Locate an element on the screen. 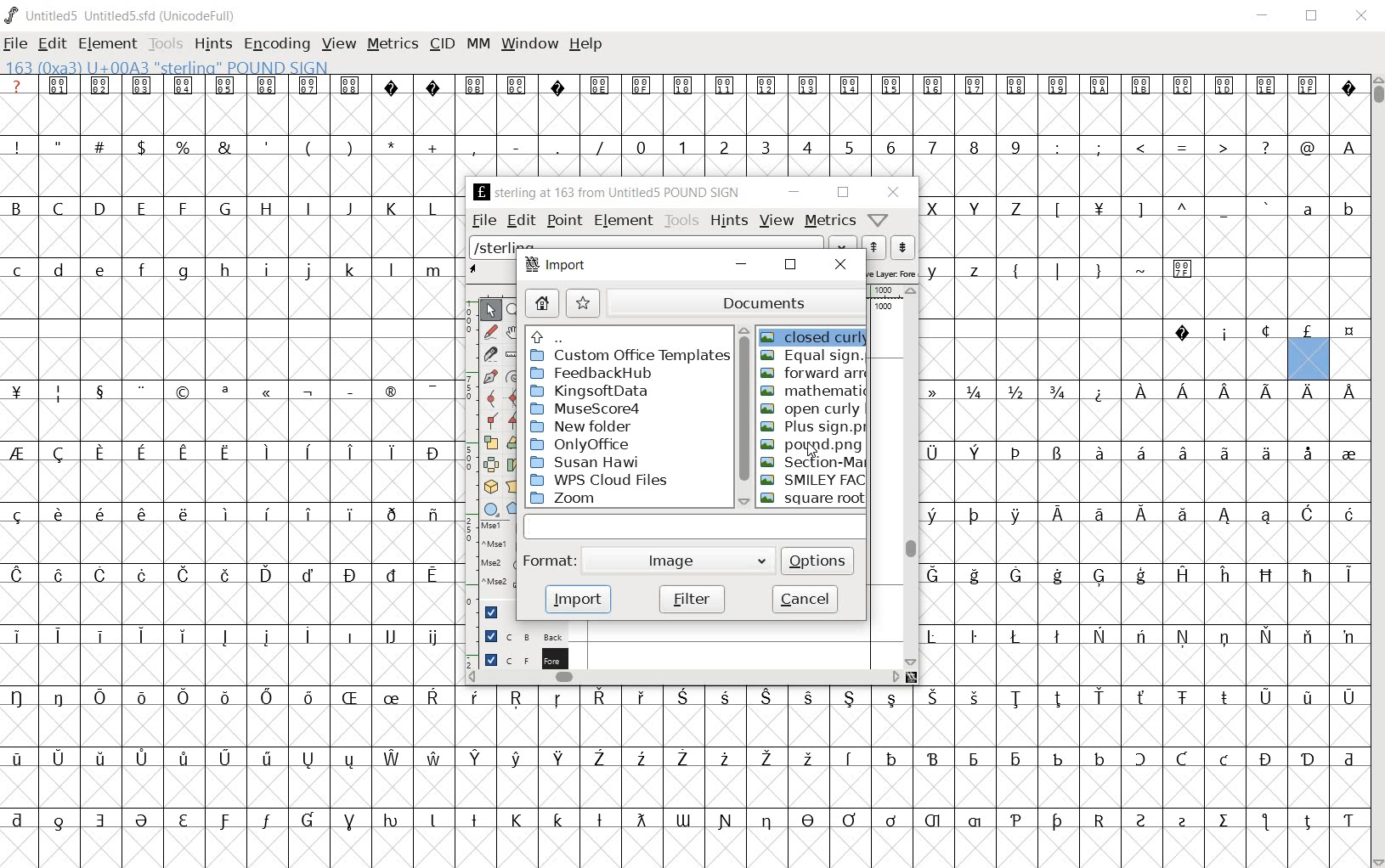 The image size is (1385, 868). Symbol is located at coordinates (1182, 699).